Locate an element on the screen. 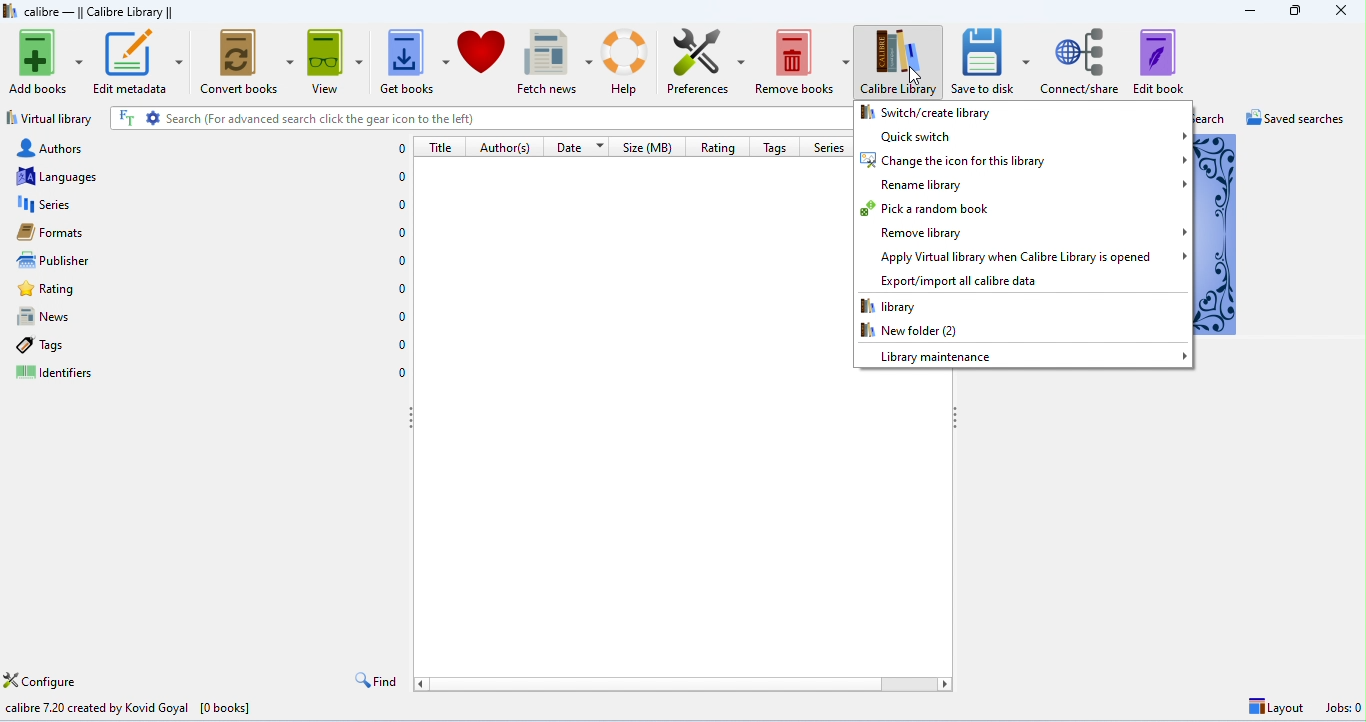 The height and width of the screenshot is (722, 1366). find is located at coordinates (377, 681).